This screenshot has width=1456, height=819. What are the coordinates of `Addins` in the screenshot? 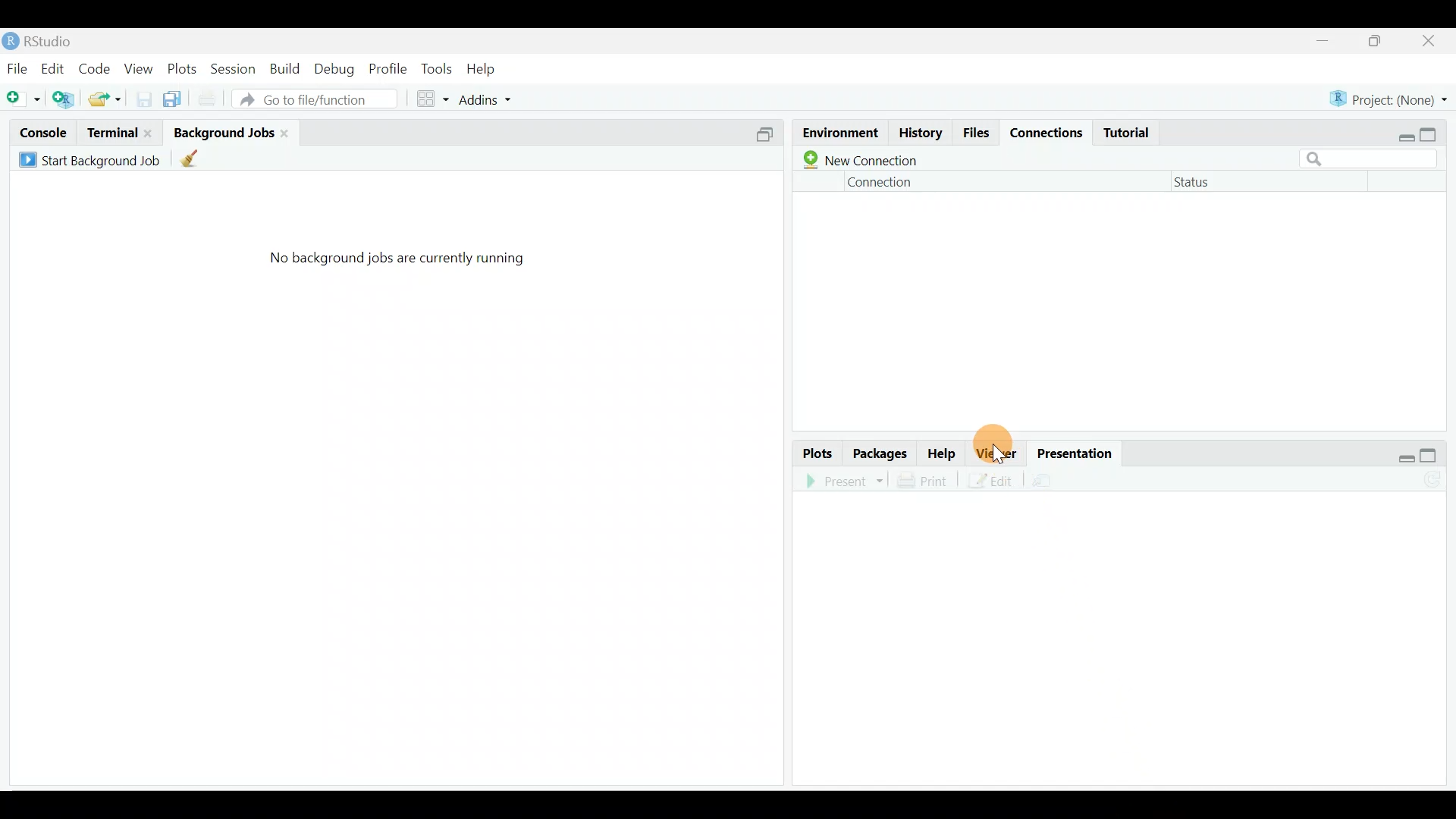 It's located at (488, 97).